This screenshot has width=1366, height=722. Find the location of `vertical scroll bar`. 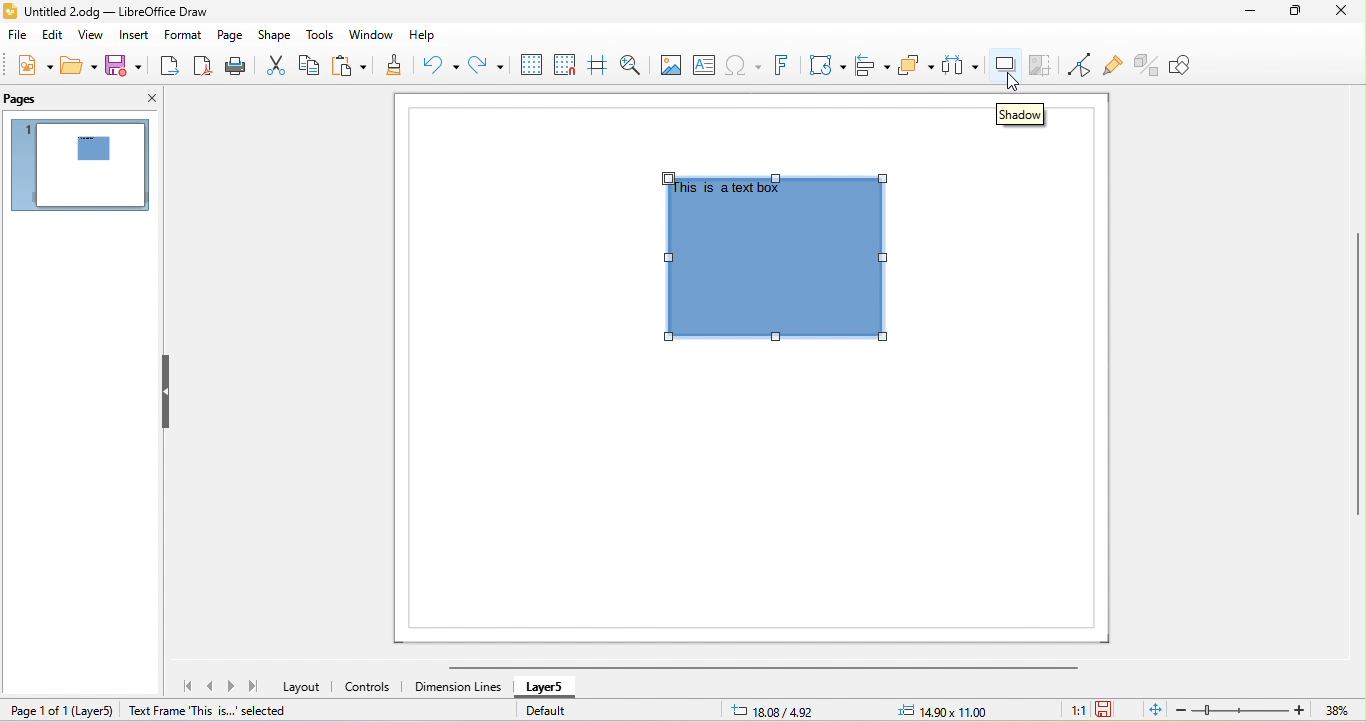

vertical scroll bar is located at coordinates (1355, 374).